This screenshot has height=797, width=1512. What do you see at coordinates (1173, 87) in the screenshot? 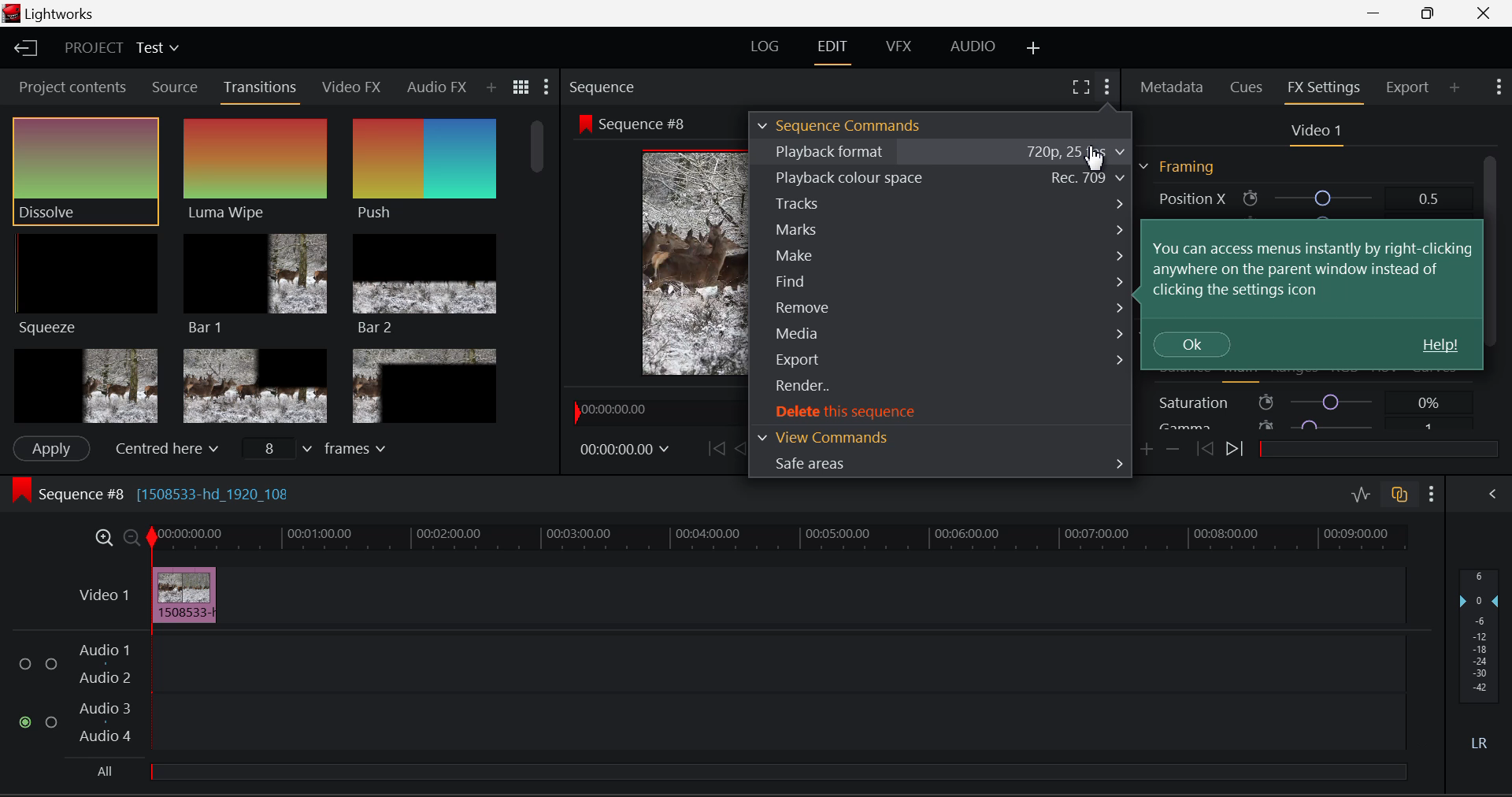
I see `Metadata` at bounding box center [1173, 87].